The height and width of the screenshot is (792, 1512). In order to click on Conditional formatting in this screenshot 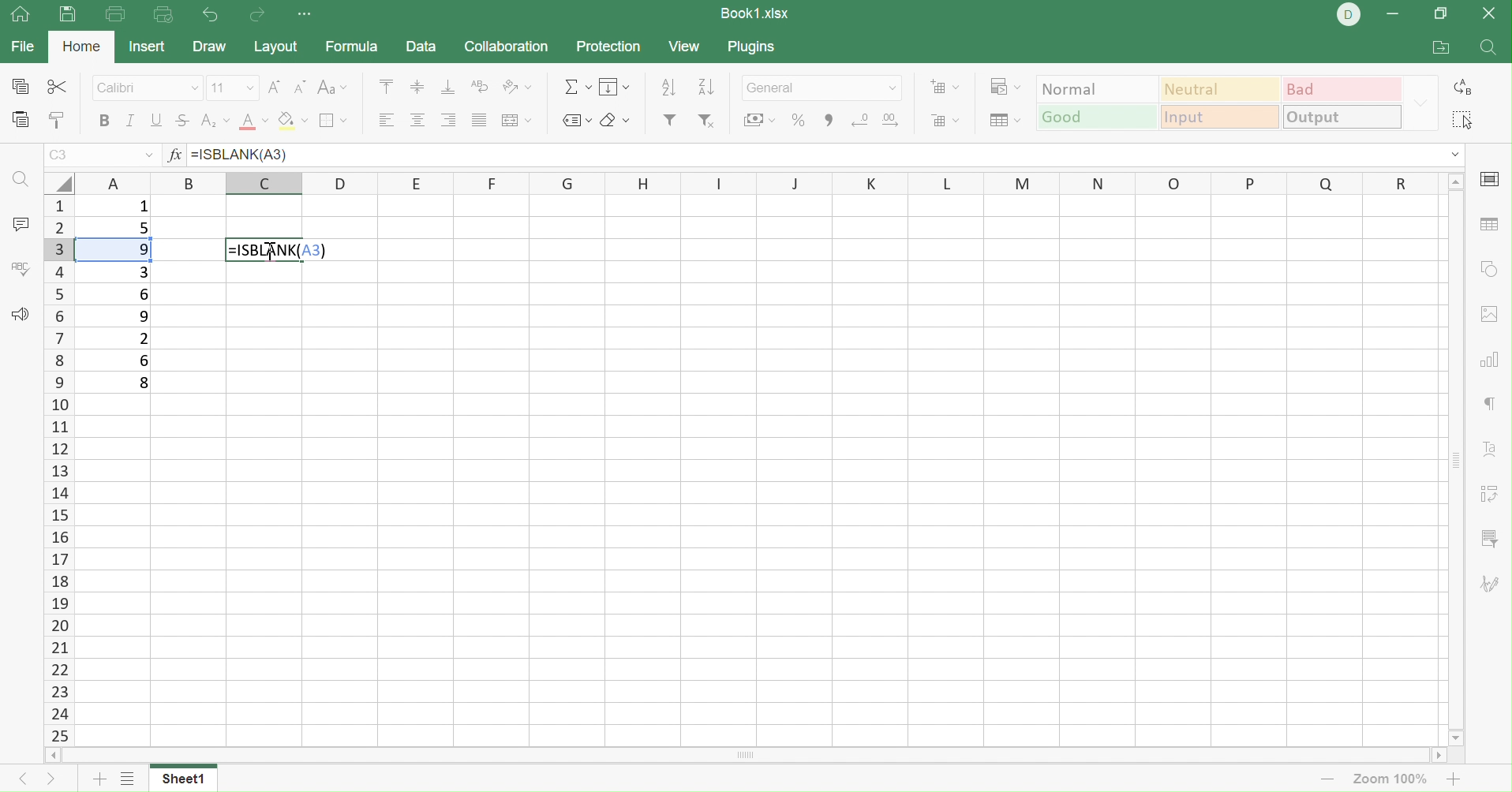, I will do `click(1005, 85)`.